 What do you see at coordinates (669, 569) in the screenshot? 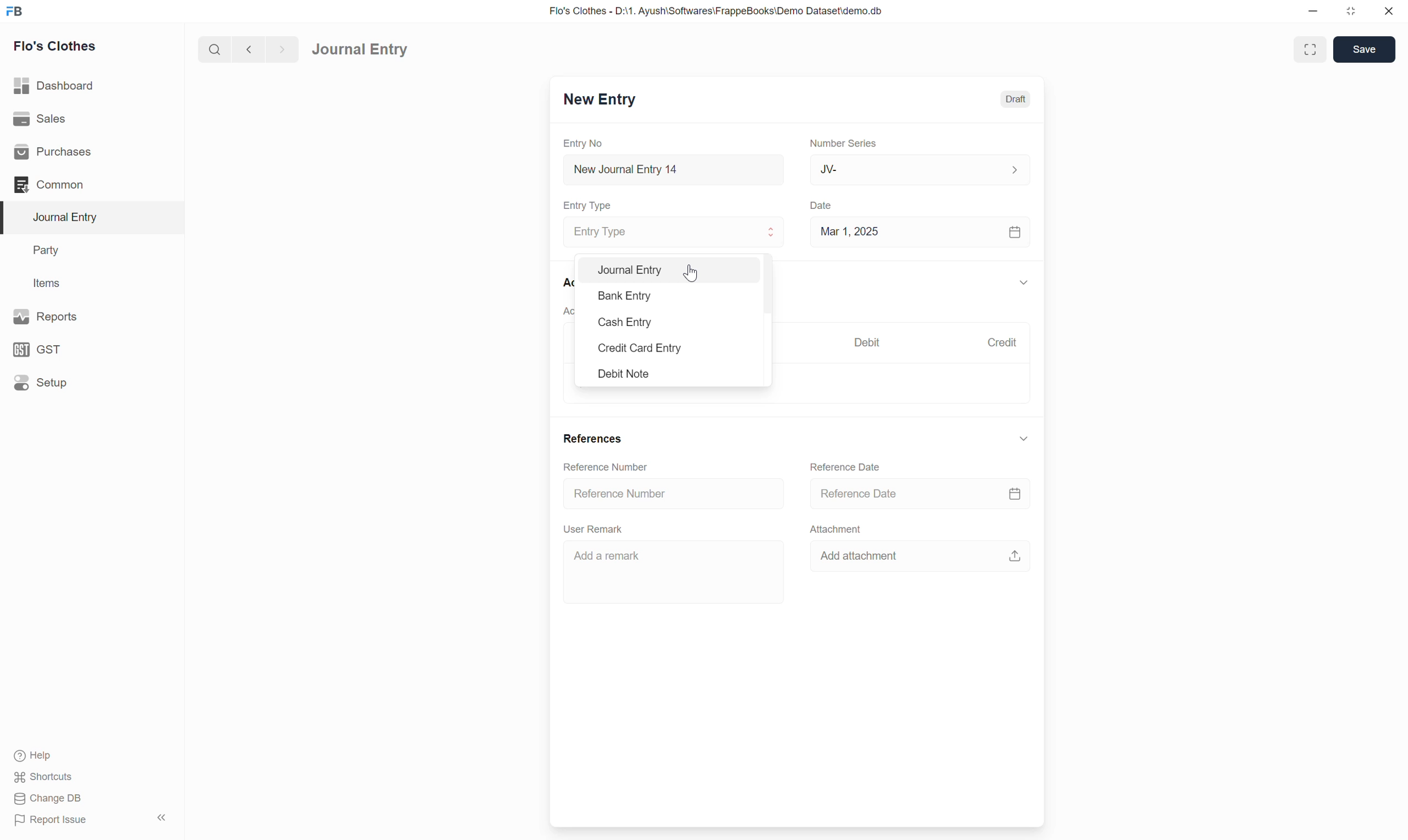
I see `Add a remark` at bounding box center [669, 569].